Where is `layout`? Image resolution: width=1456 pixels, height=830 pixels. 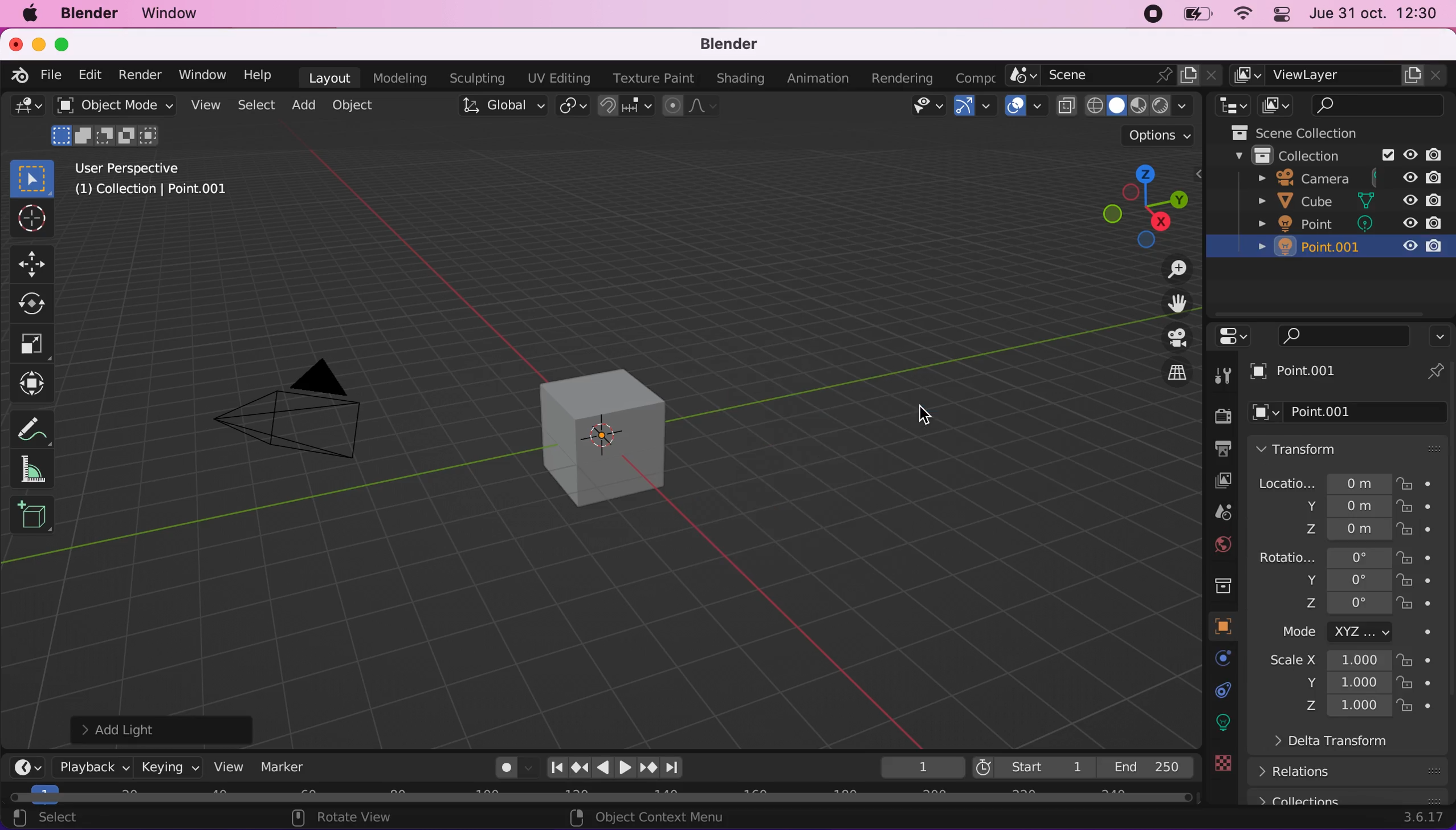
layout is located at coordinates (331, 77).